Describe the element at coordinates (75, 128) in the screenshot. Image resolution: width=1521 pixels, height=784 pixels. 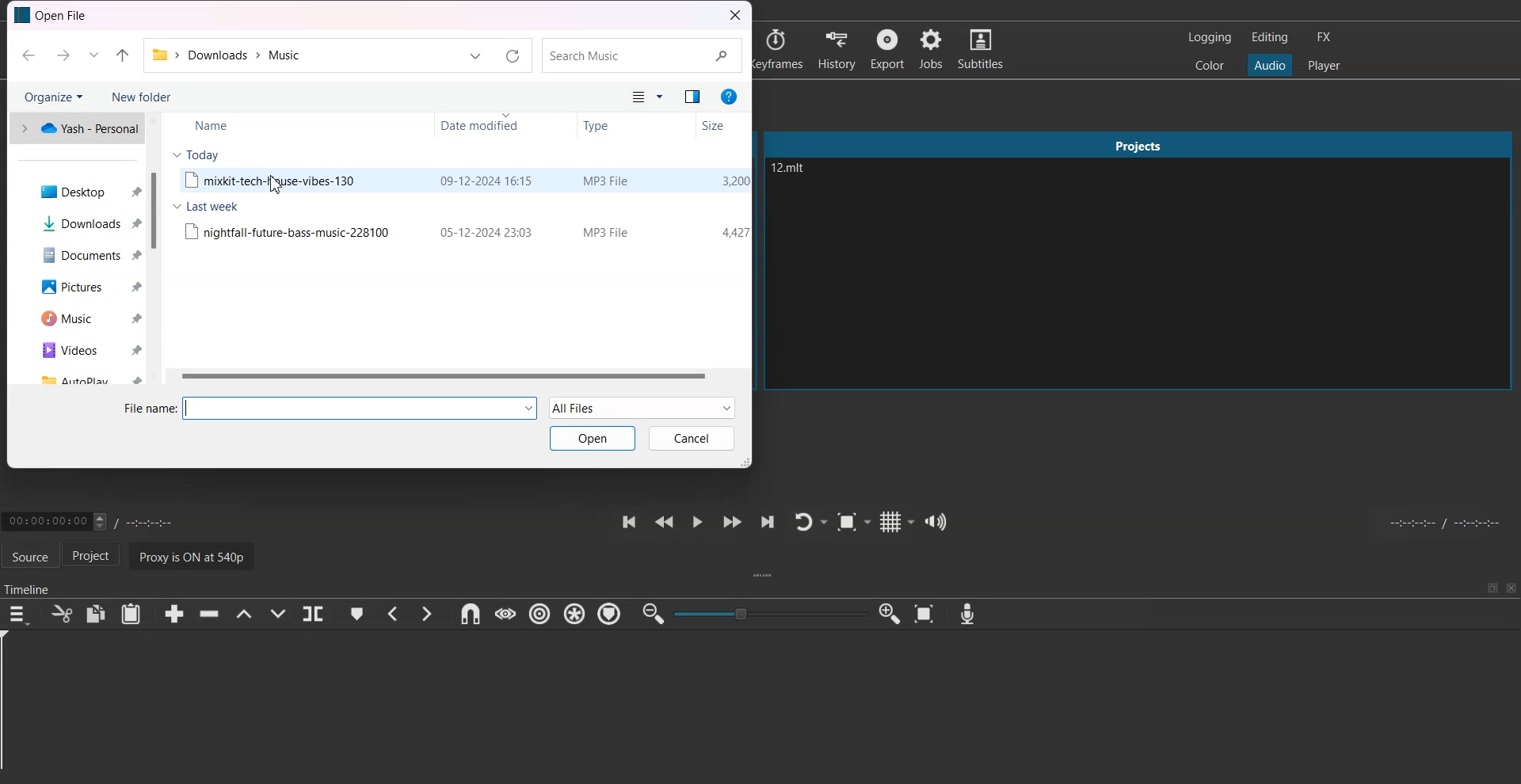
I see `One Drive File` at that location.